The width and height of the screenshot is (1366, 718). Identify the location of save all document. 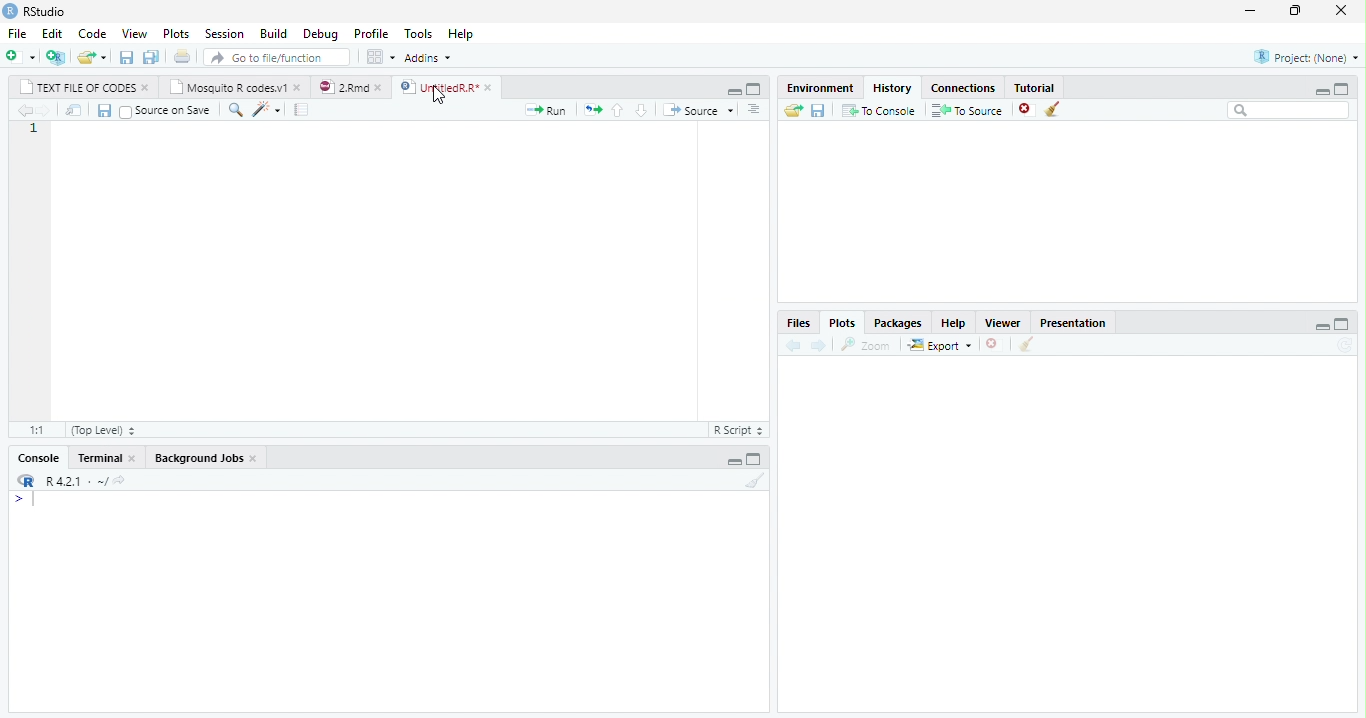
(153, 56).